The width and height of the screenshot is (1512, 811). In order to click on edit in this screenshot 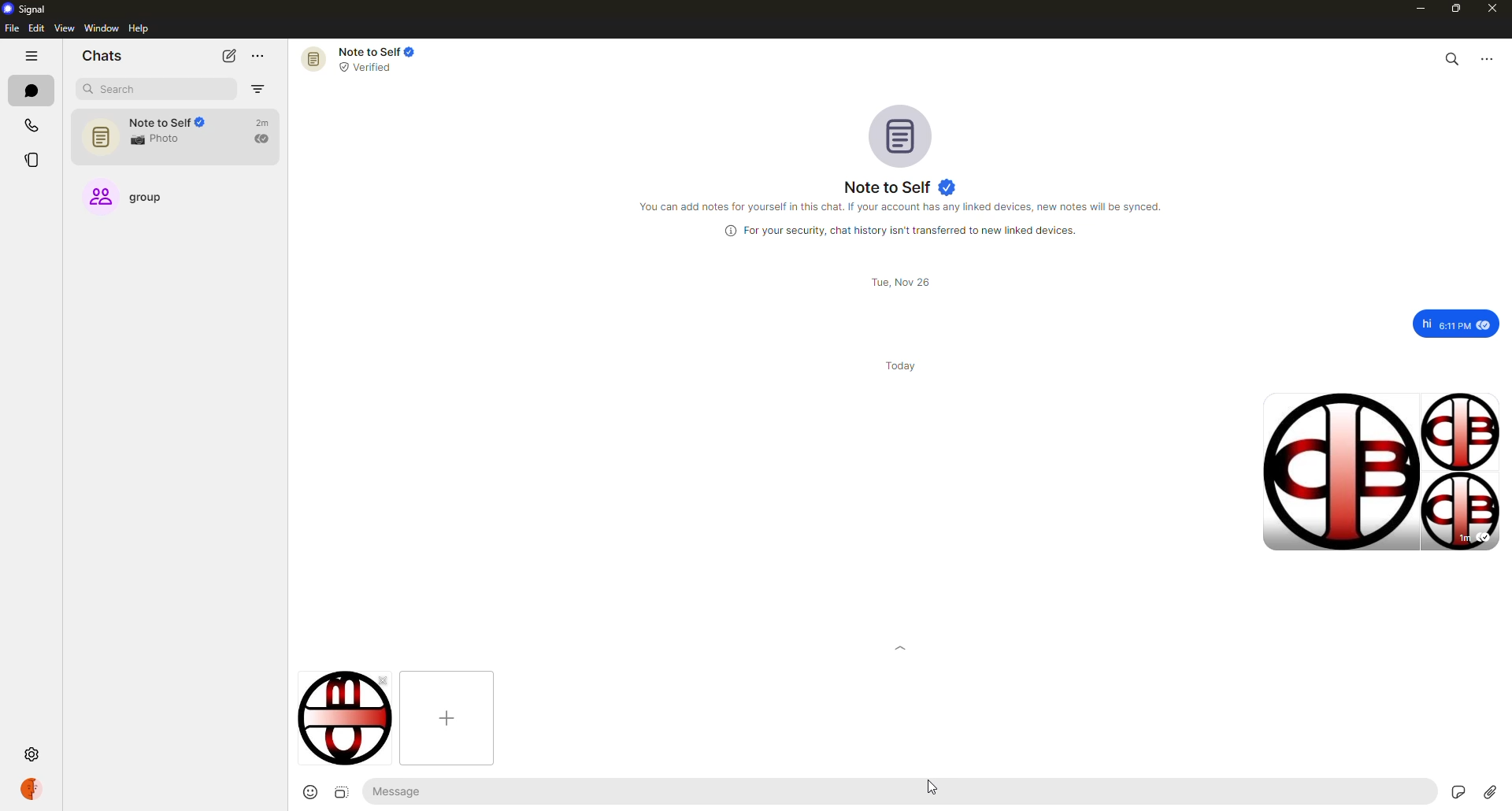, I will do `click(36, 28)`.